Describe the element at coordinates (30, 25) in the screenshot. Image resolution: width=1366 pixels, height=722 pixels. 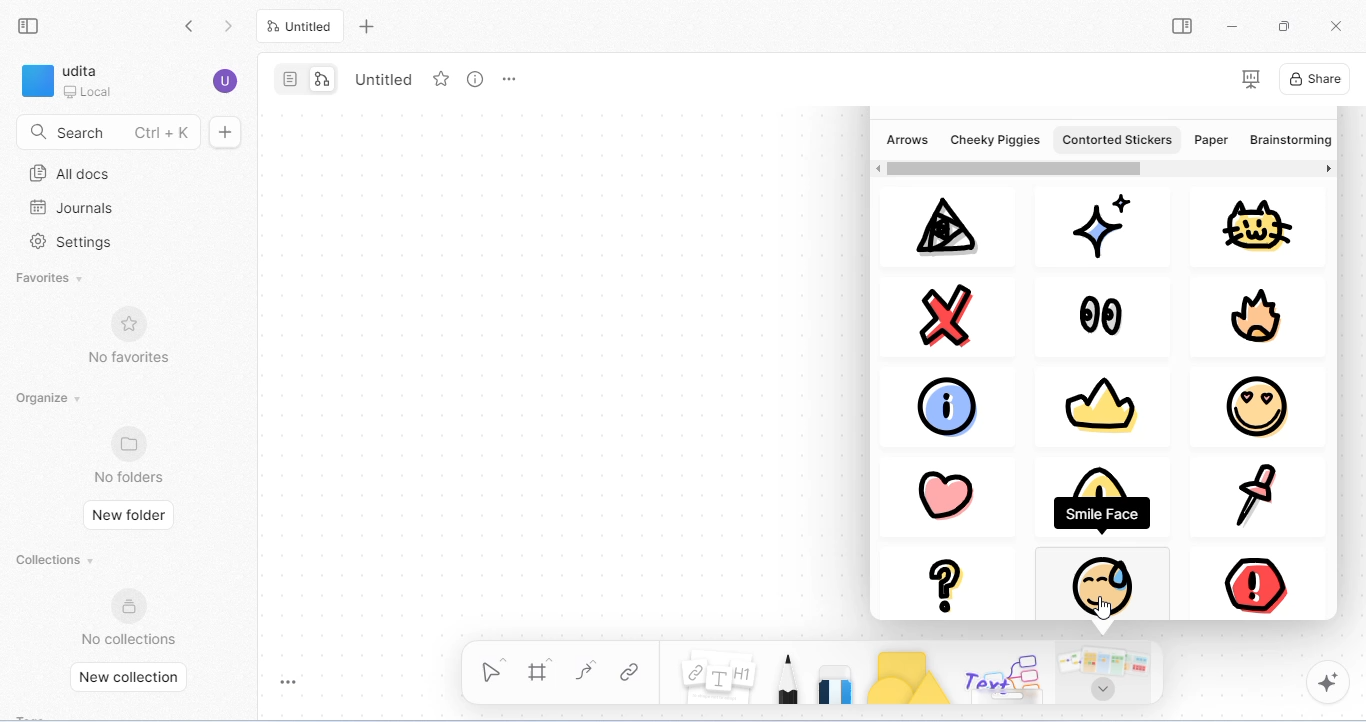
I see `collapse side bar` at that location.